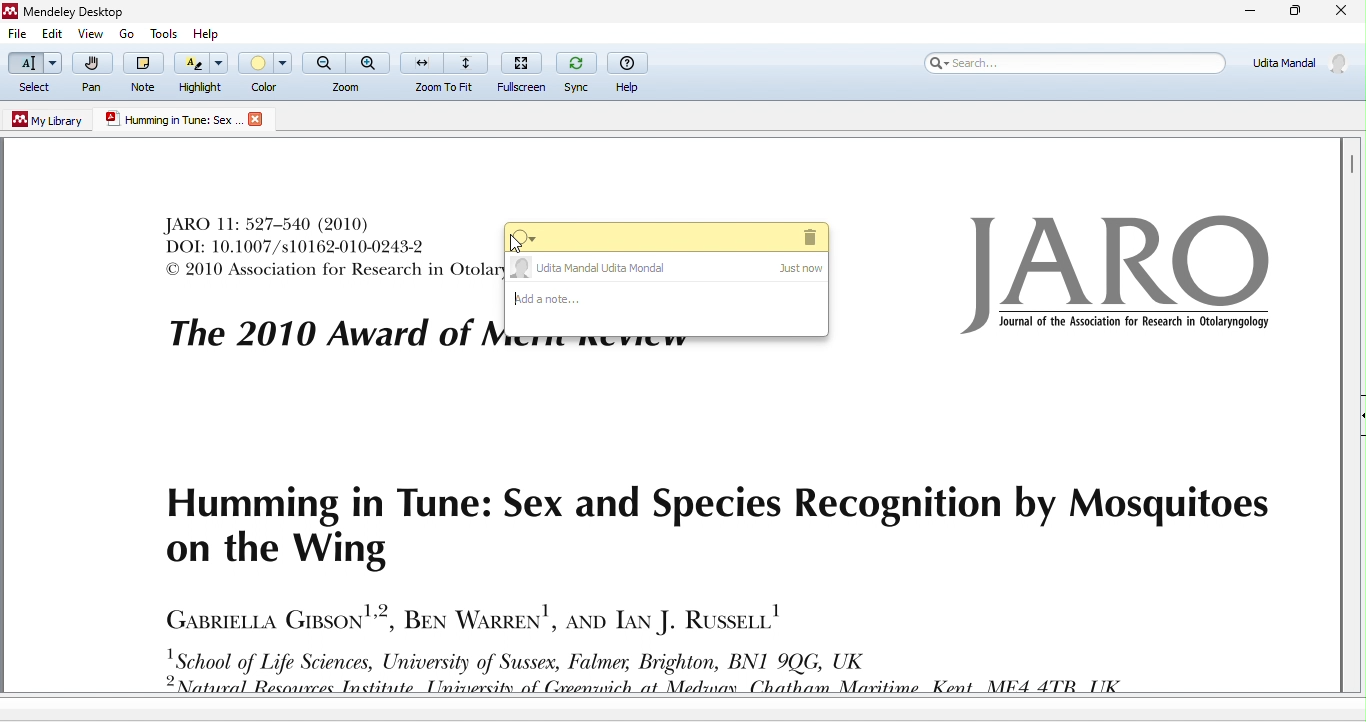  Describe the element at coordinates (526, 71) in the screenshot. I see `full screen` at that location.